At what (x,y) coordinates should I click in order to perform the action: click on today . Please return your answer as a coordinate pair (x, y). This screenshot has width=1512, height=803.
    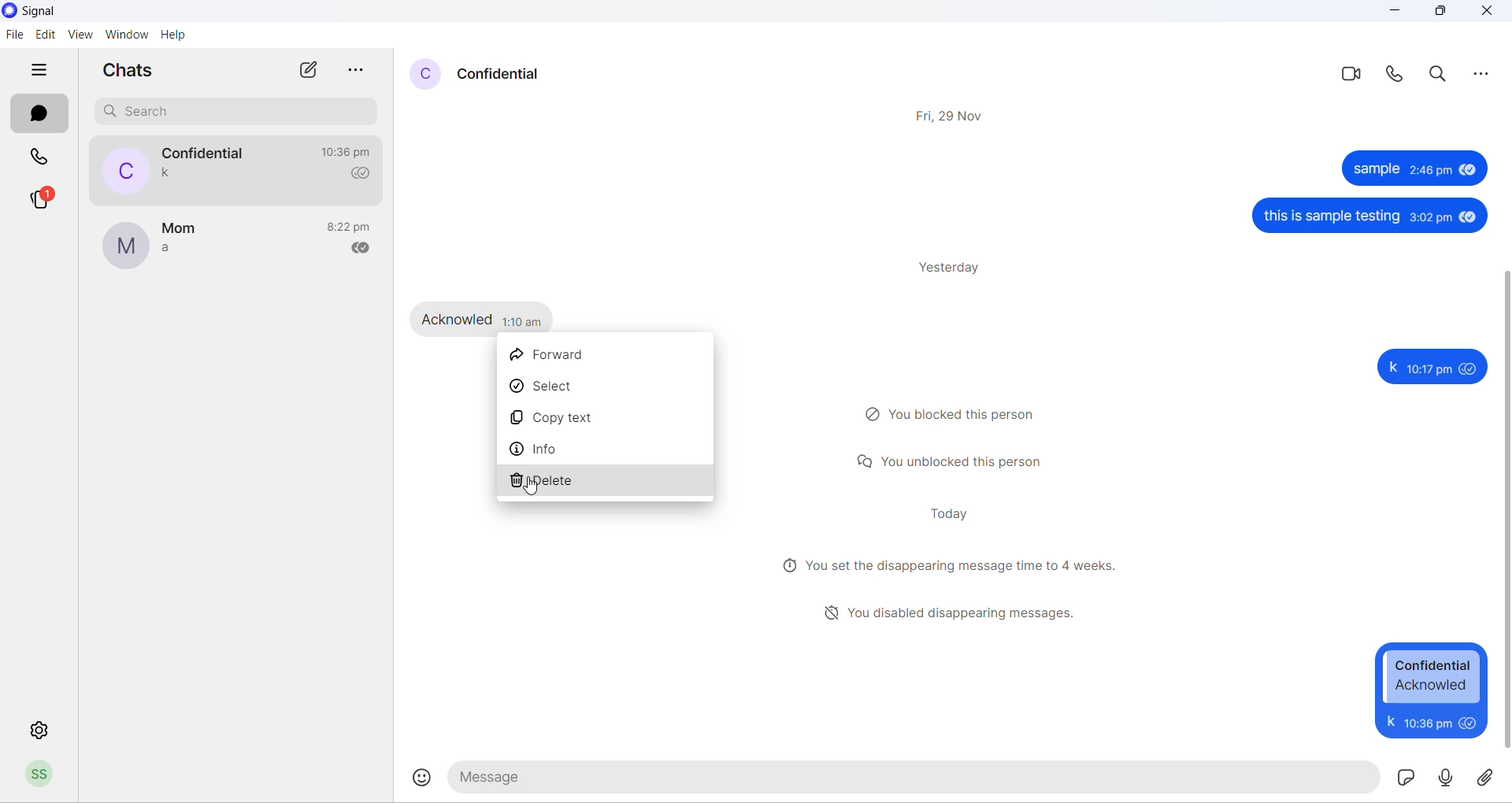
    Looking at the image, I should click on (953, 512).